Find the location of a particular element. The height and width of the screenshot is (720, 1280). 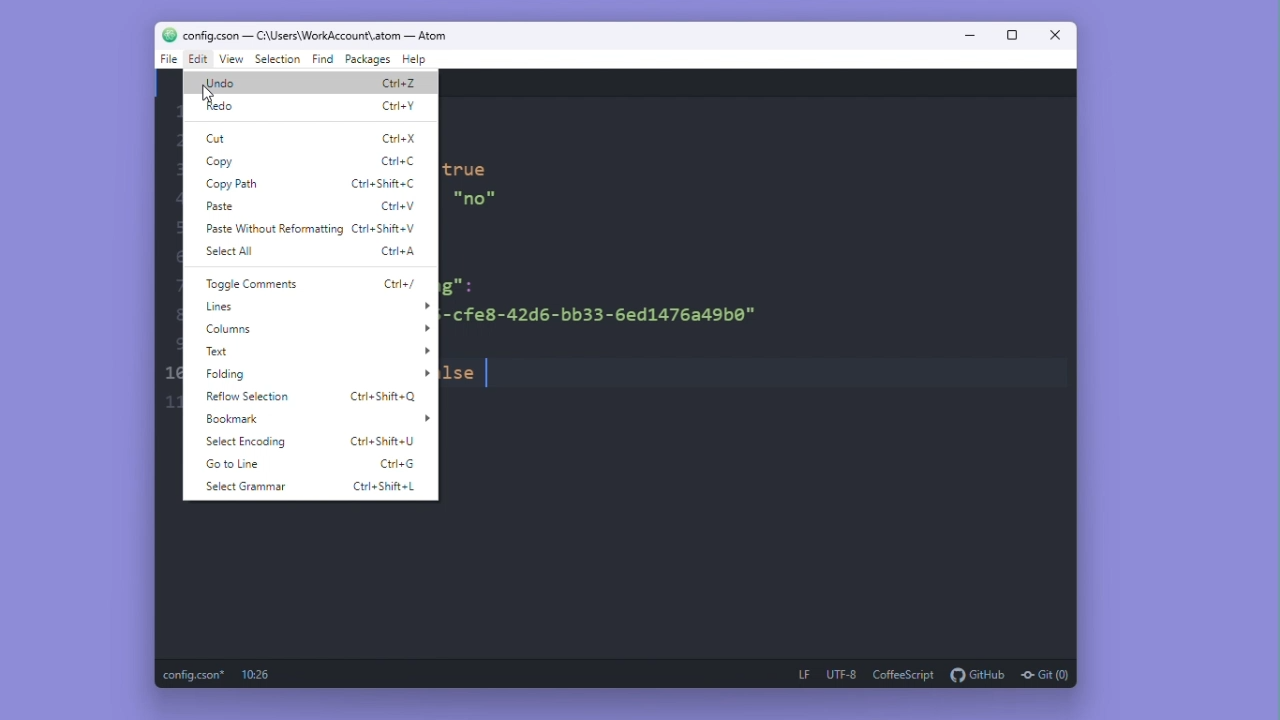

ctrl+shift+g is located at coordinates (396, 464).